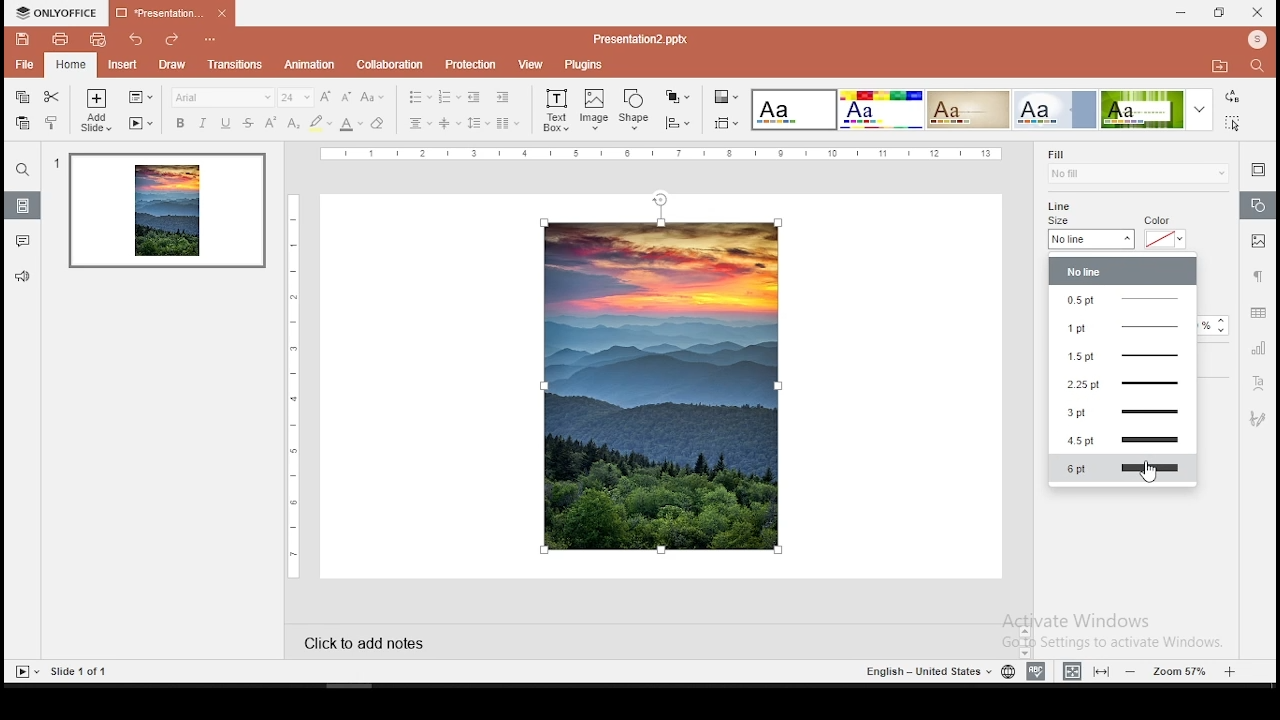 Image resolution: width=1280 pixels, height=720 pixels. Describe the element at coordinates (249, 121) in the screenshot. I see `strikethrough` at that location.